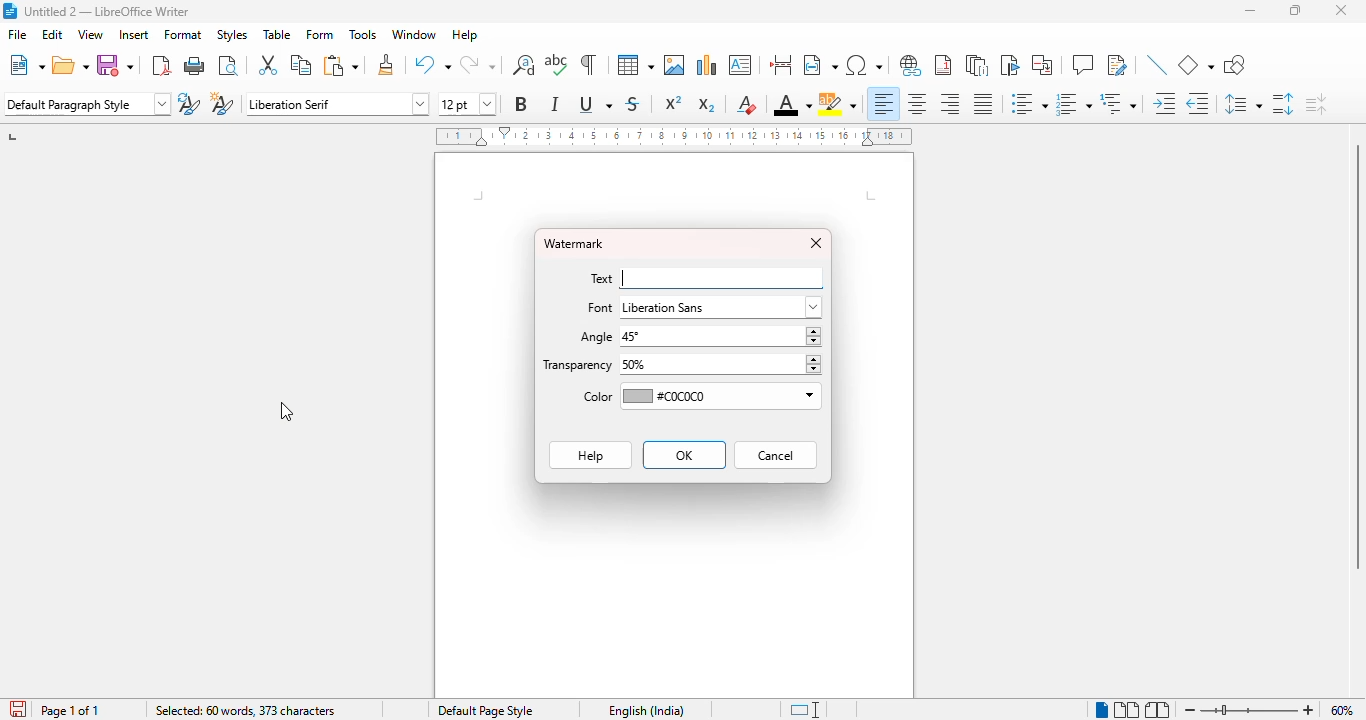 The width and height of the screenshot is (1366, 720). What do you see at coordinates (706, 105) in the screenshot?
I see `subscript` at bounding box center [706, 105].